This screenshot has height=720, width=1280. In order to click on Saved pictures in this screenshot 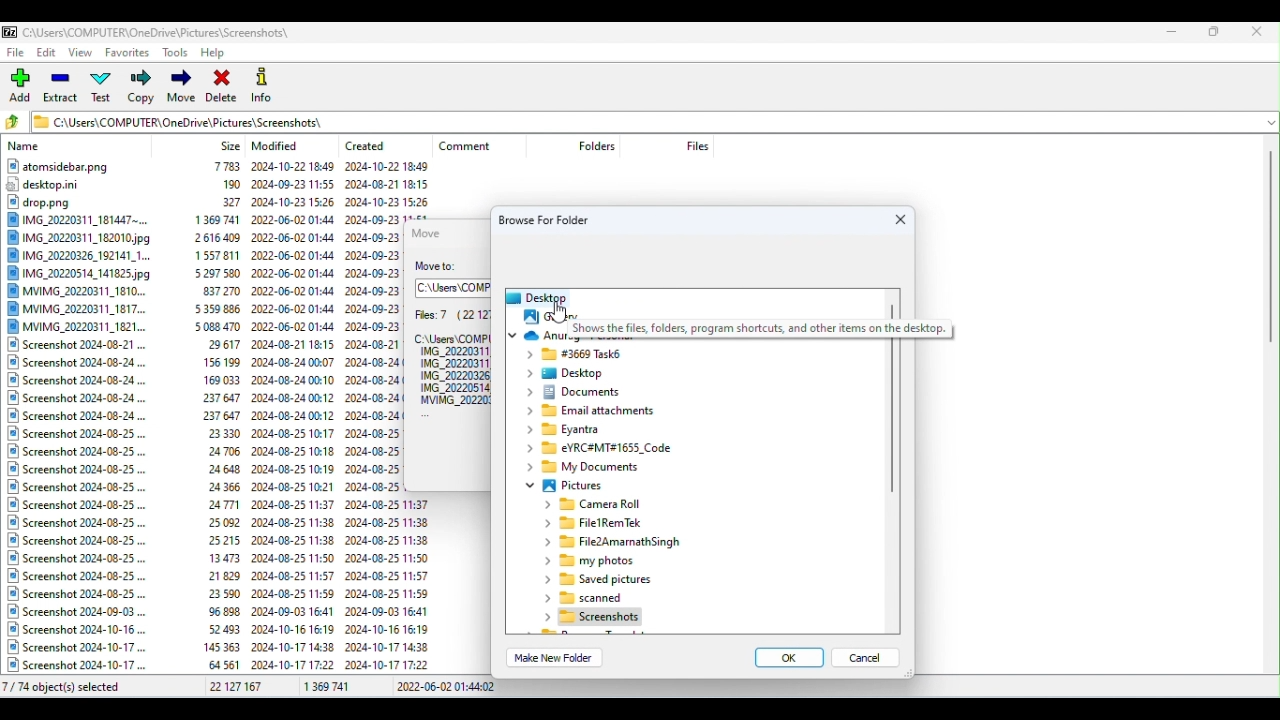, I will do `click(596, 581)`.